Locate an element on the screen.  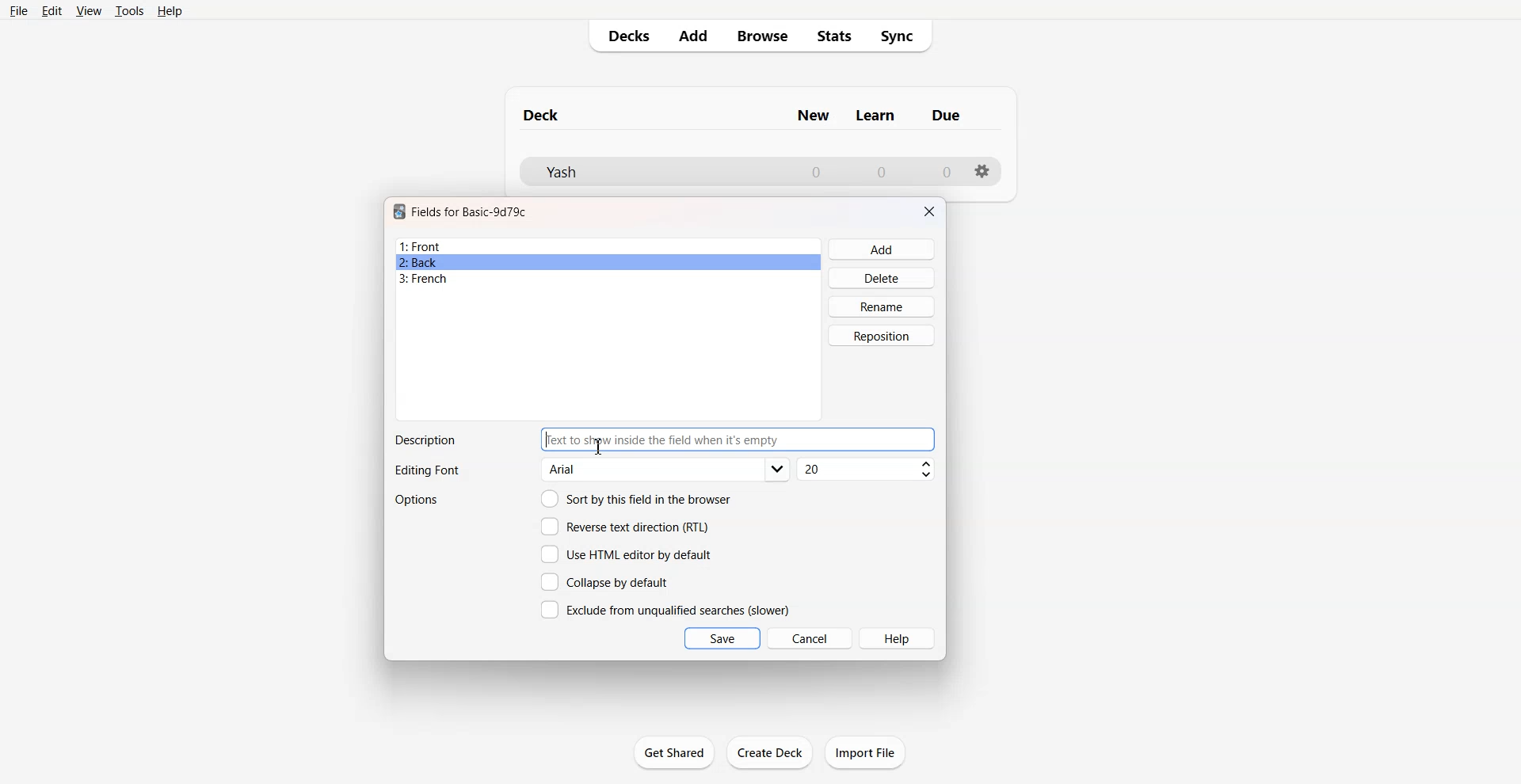
View is located at coordinates (90, 10).